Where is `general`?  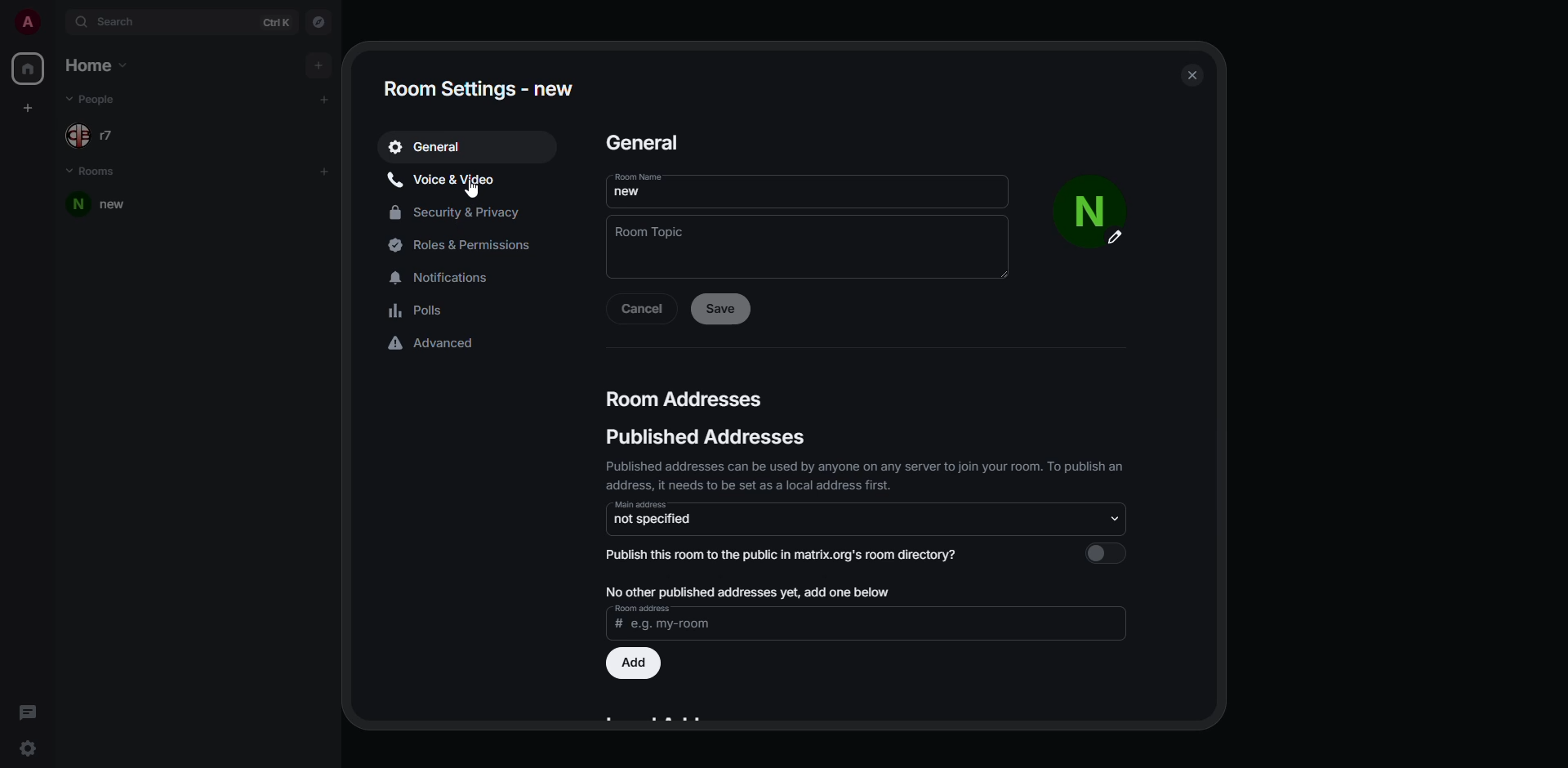
general is located at coordinates (648, 143).